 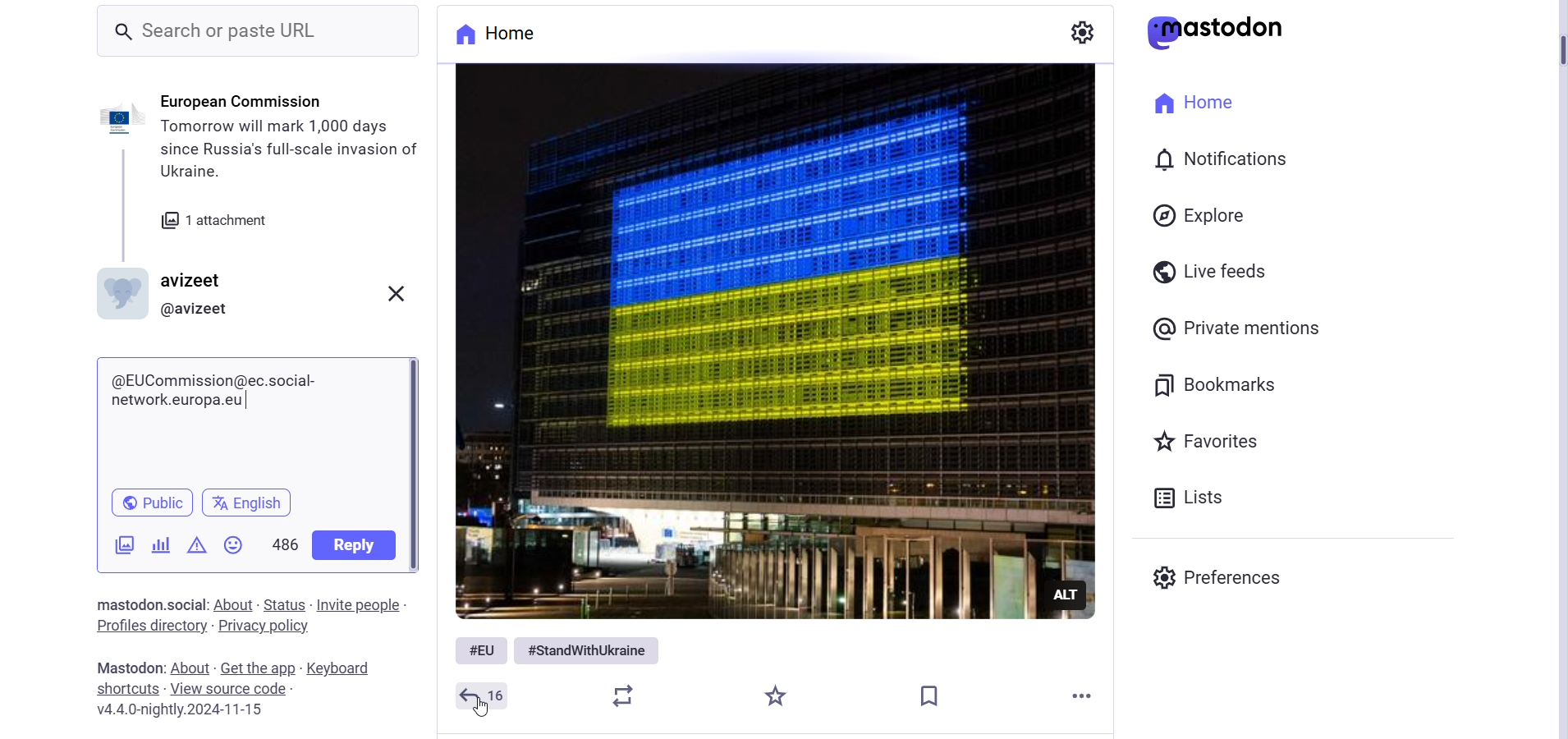 I want to click on Keyboard, so click(x=343, y=668).